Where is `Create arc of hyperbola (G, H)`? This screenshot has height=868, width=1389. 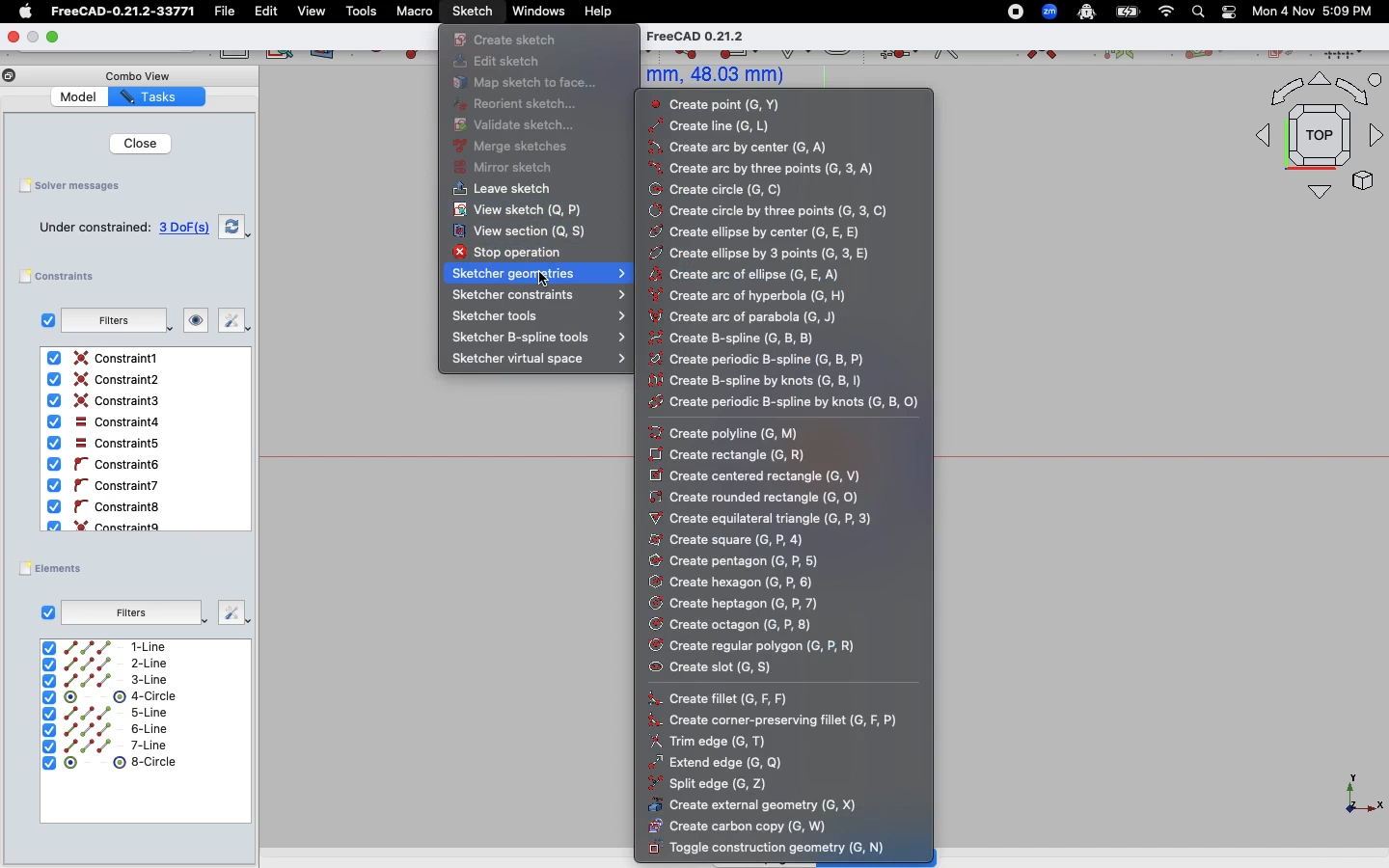 Create arc of hyperbola (G, H) is located at coordinates (761, 296).